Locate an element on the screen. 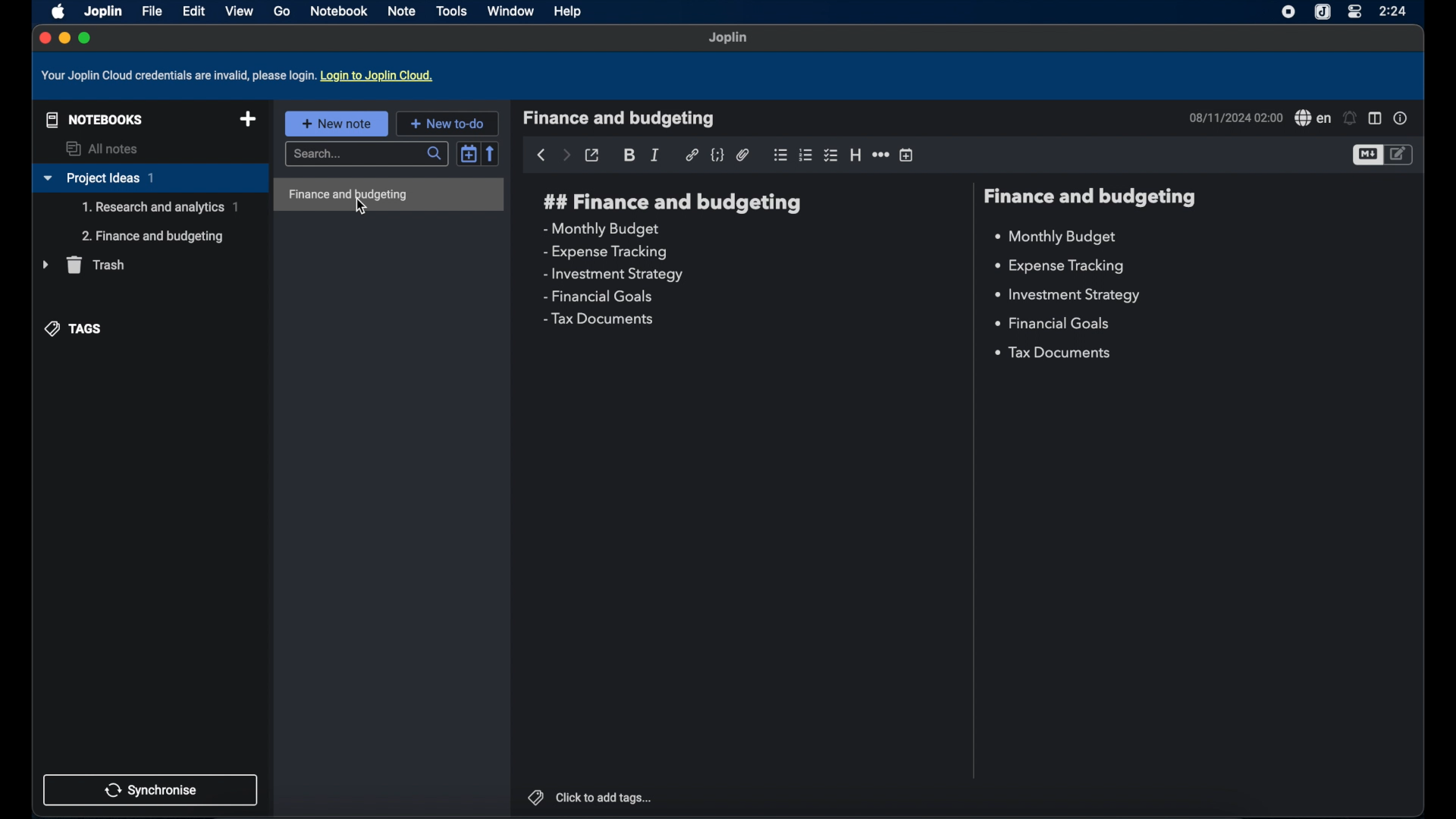 The height and width of the screenshot is (819, 1456). code is located at coordinates (718, 155).